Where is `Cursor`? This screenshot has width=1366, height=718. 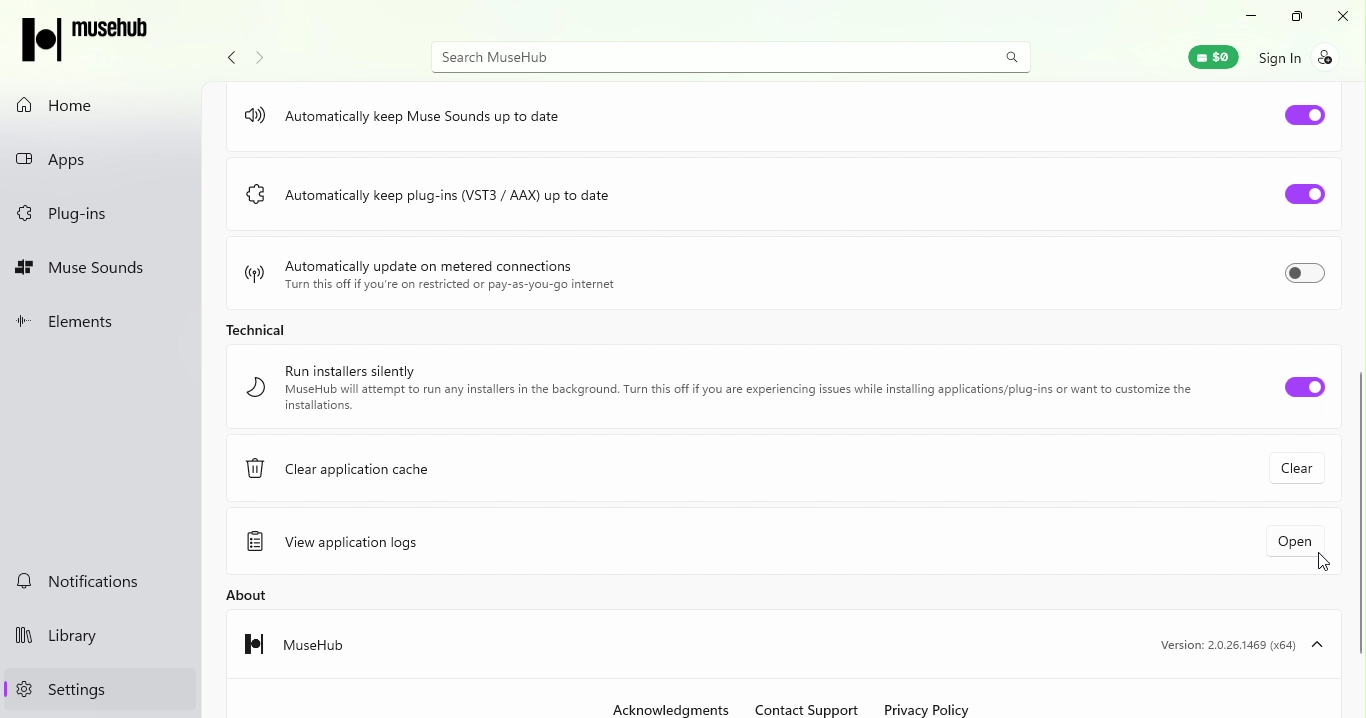 Cursor is located at coordinates (1322, 565).